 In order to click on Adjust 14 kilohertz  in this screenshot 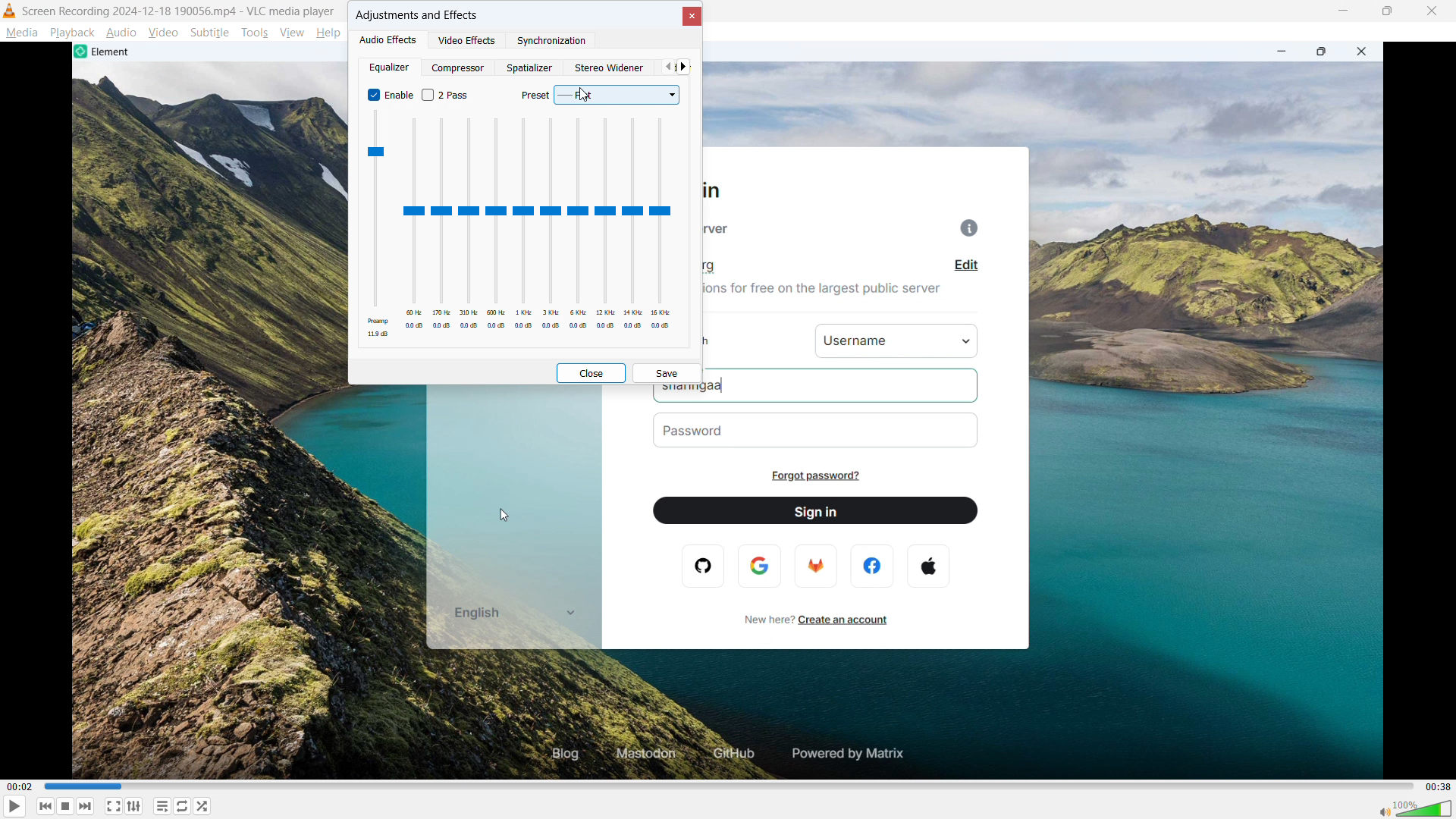, I will do `click(632, 224)`.